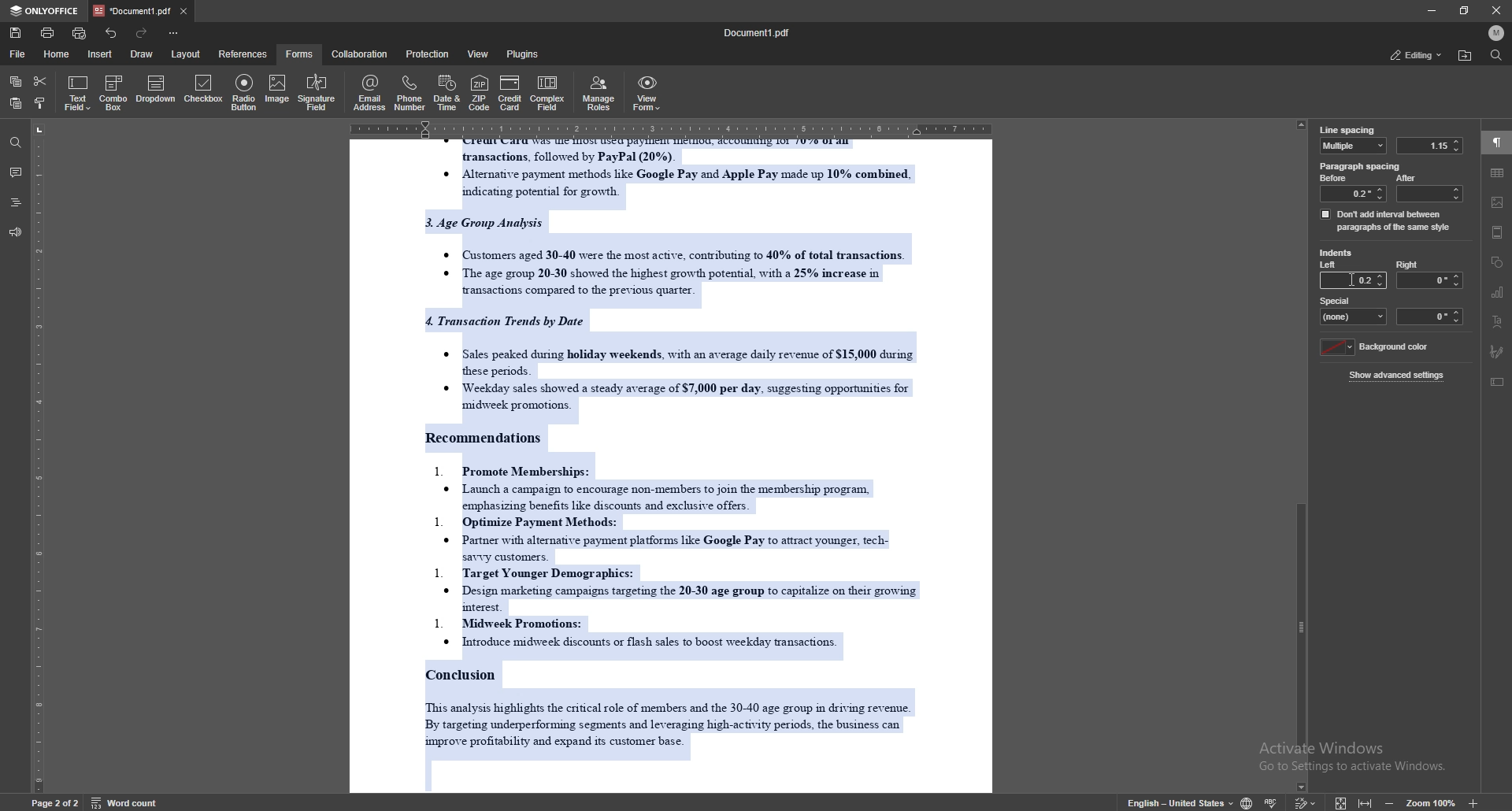 This screenshot has width=1512, height=811. Describe the element at coordinates (601, 92) in the screenshot. I see `manage roles` at that location.